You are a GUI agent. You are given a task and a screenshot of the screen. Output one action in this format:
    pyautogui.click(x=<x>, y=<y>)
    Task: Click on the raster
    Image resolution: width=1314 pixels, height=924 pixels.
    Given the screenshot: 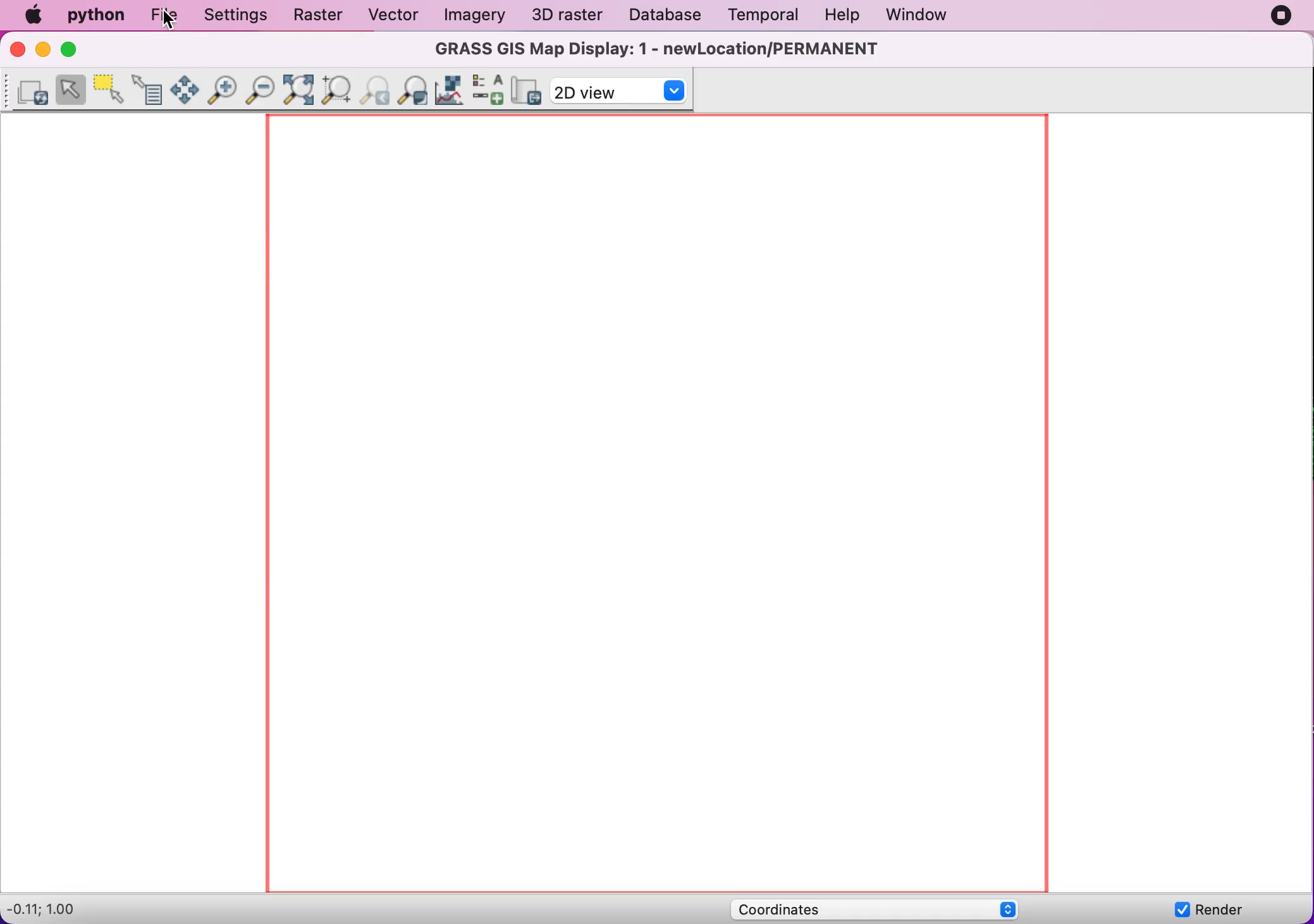 What is the action you would take?
    pyautogui.click(x=322, y=17)
    